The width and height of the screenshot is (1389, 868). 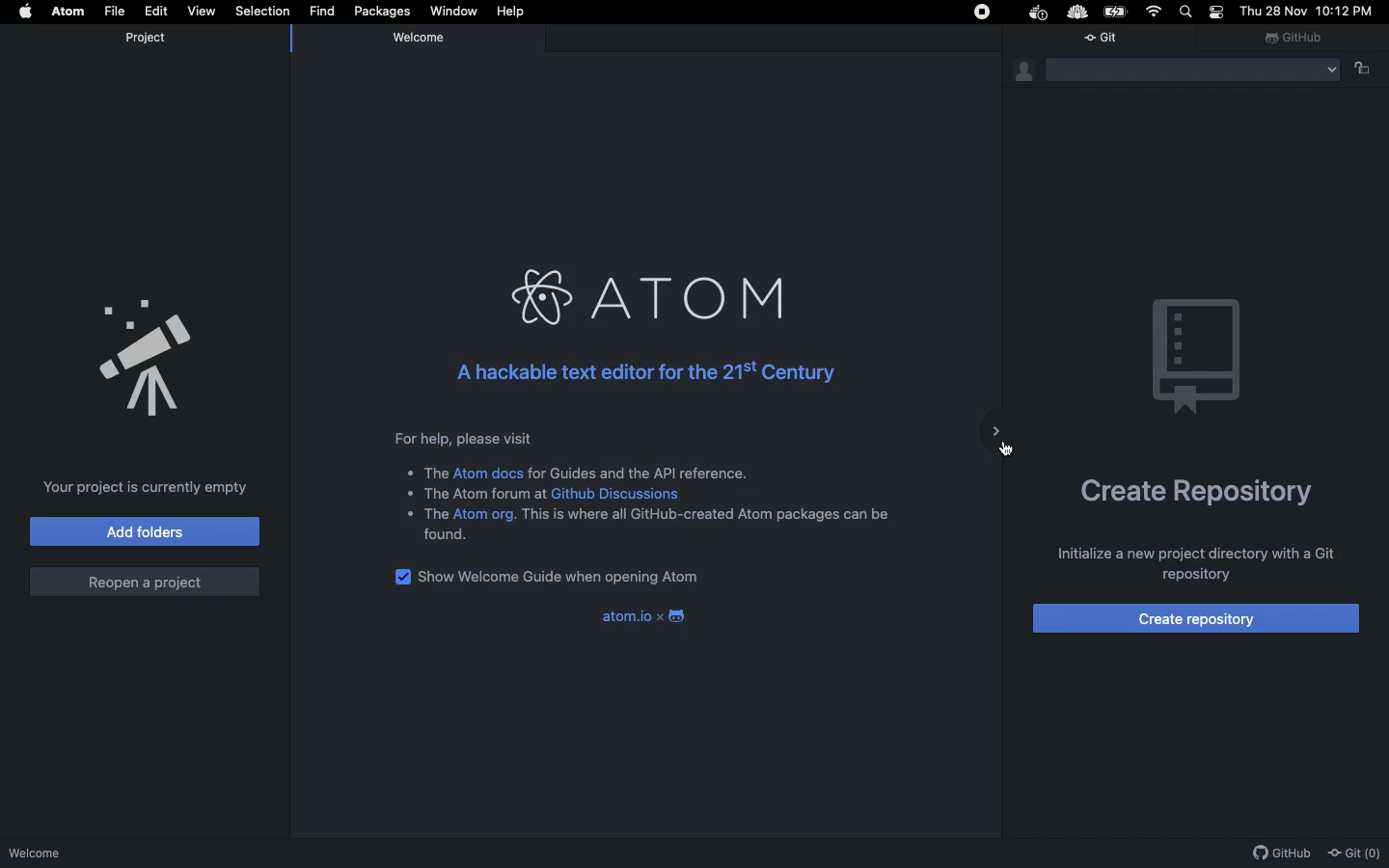 I want to click on Packages, so click(x=383, y=12).